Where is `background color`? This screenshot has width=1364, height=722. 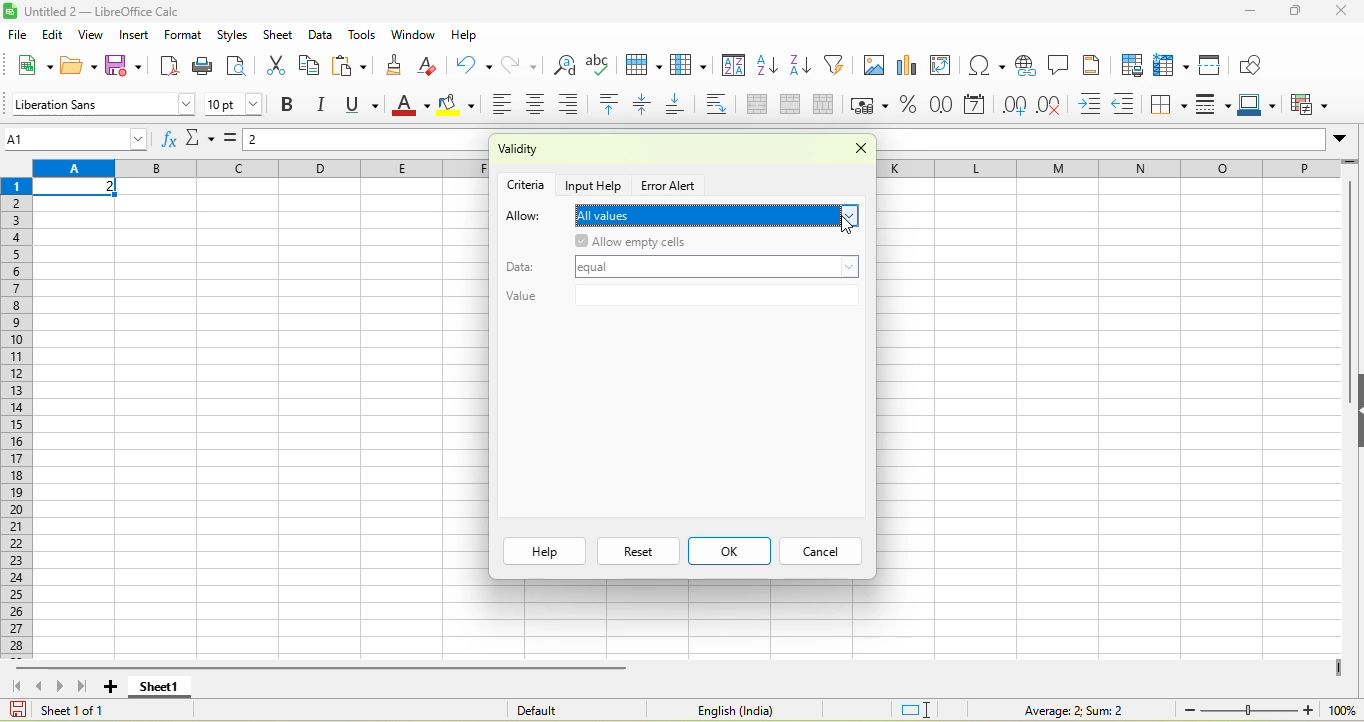 background color is located at coordinates (457, 106).